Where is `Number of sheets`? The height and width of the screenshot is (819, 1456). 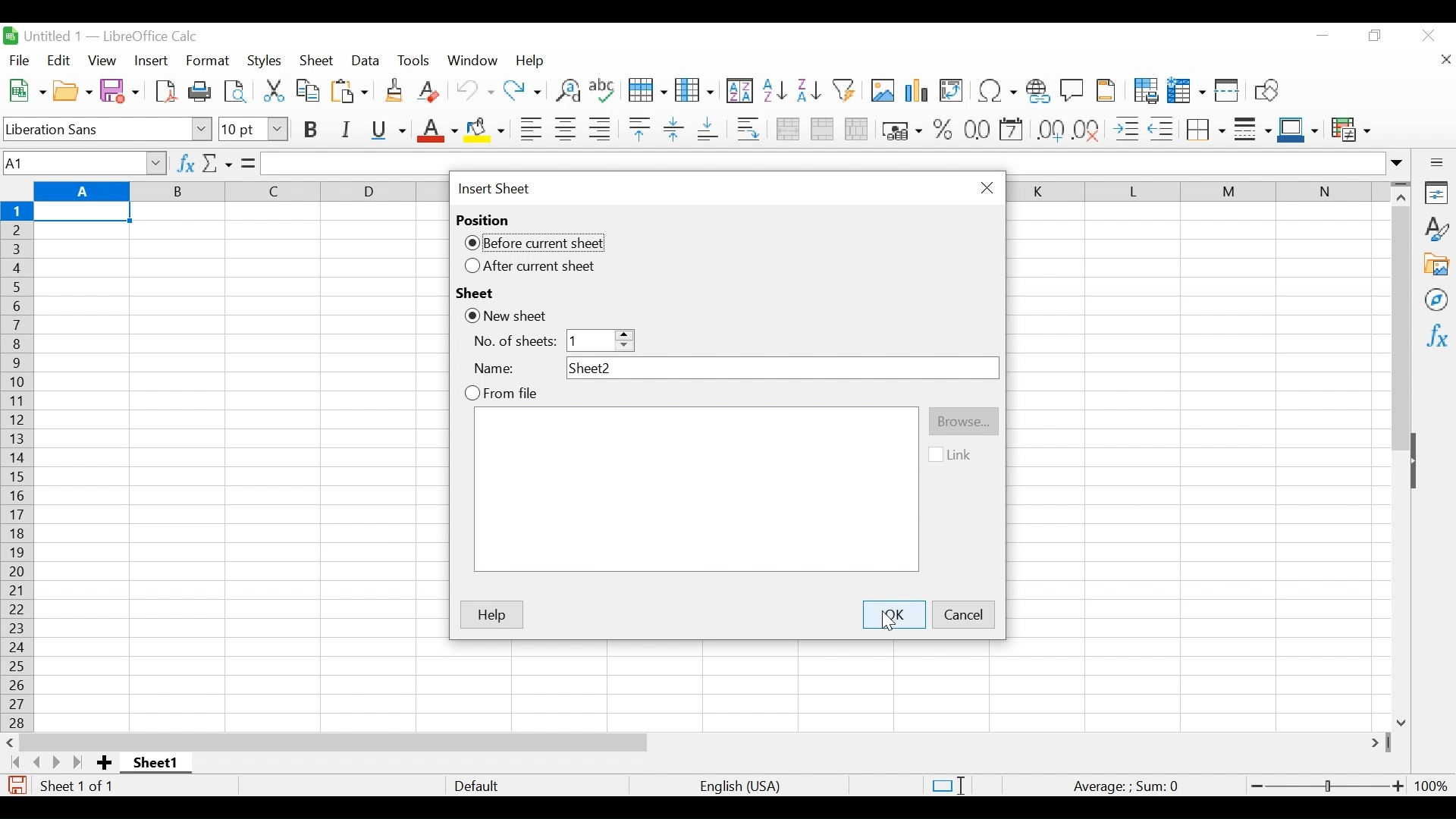
Number of sheets is located at coordinates (513, 344).